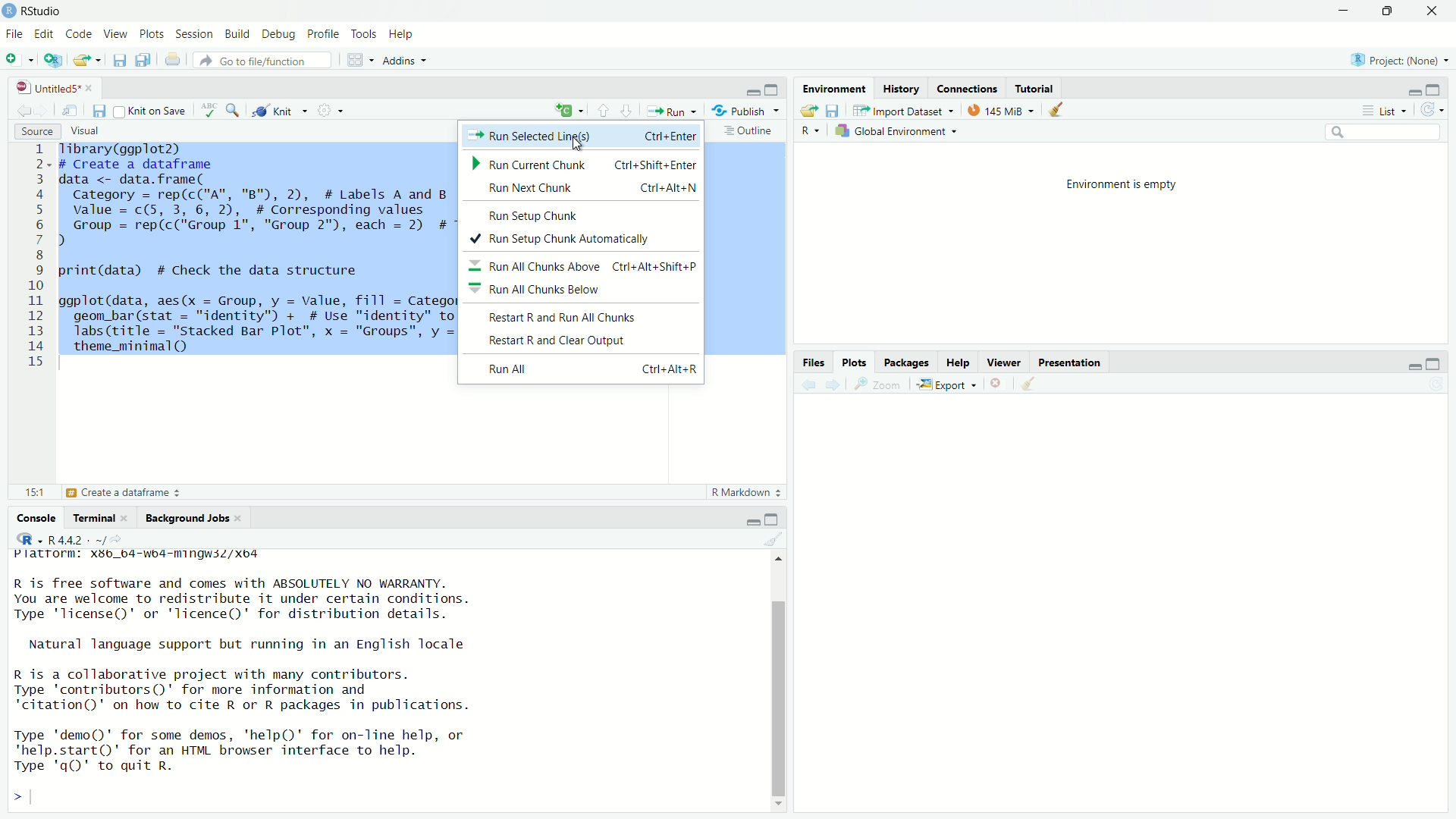 Image resolution: width=1456 pixels, height=819 pixels. I want to click on Plots, so click(152, 33).